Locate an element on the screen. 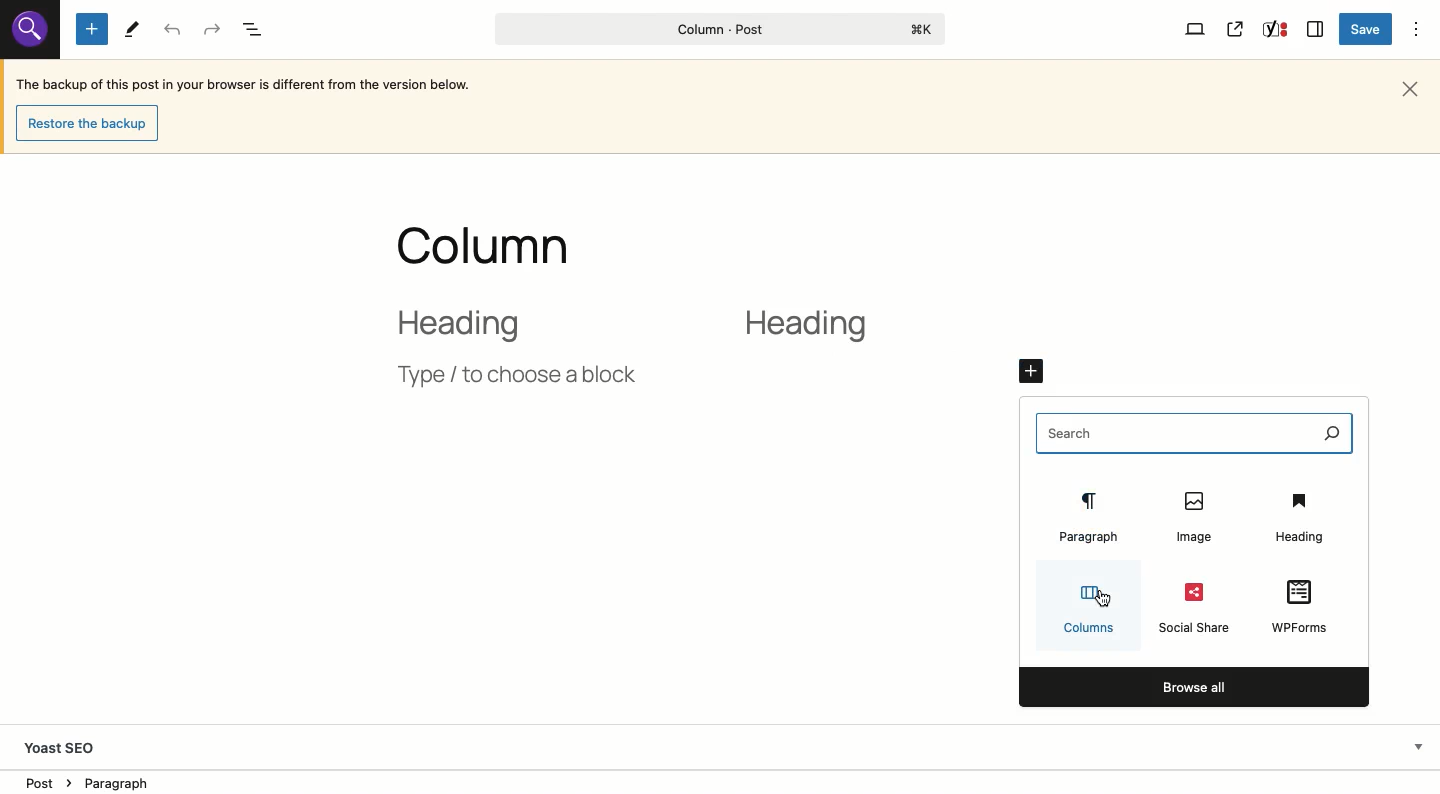 The image size is (1440, 794). View is located at coordinates (1196, 28).